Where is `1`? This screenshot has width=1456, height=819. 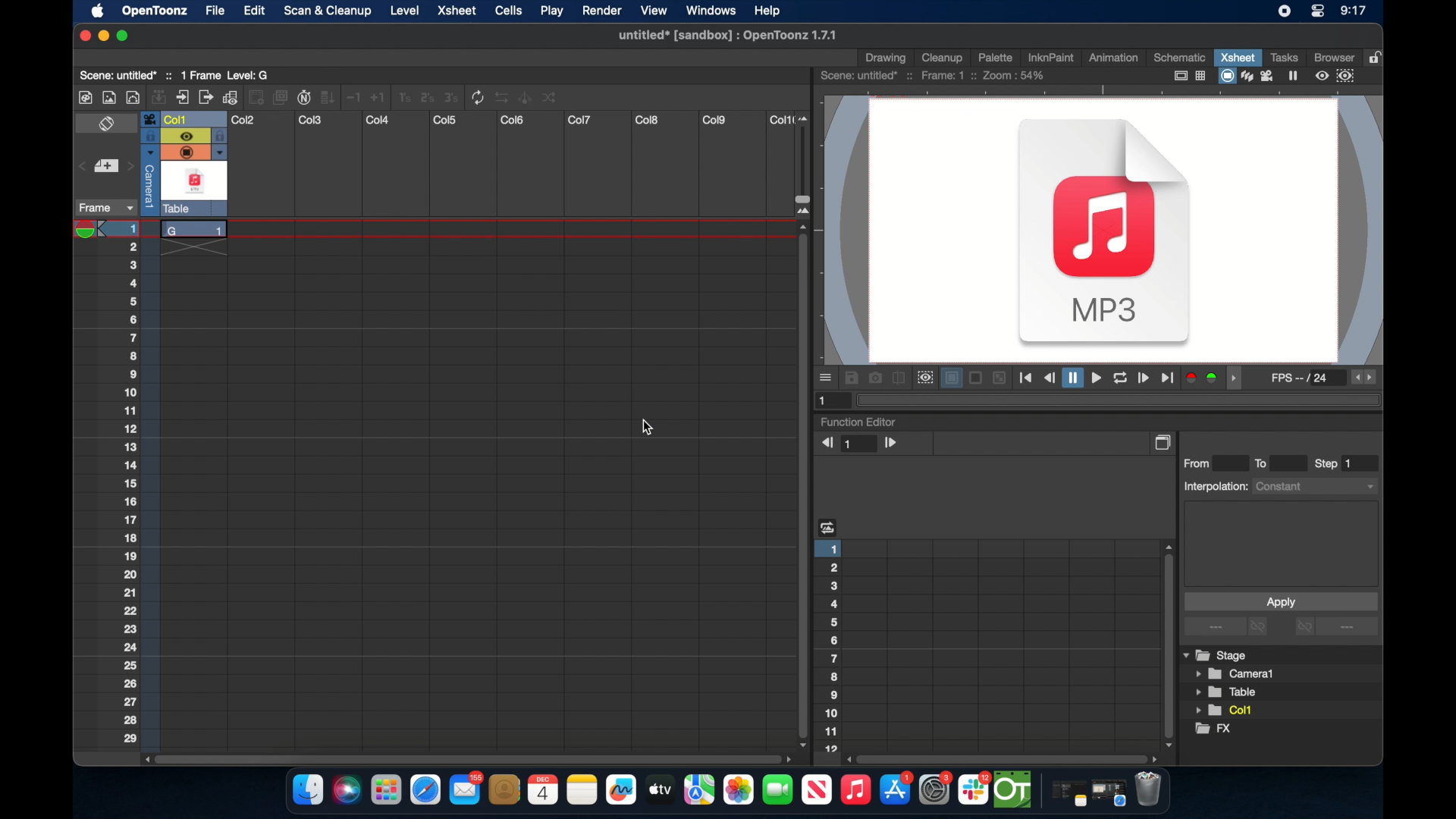 1 is located at coordinates (828, 400).